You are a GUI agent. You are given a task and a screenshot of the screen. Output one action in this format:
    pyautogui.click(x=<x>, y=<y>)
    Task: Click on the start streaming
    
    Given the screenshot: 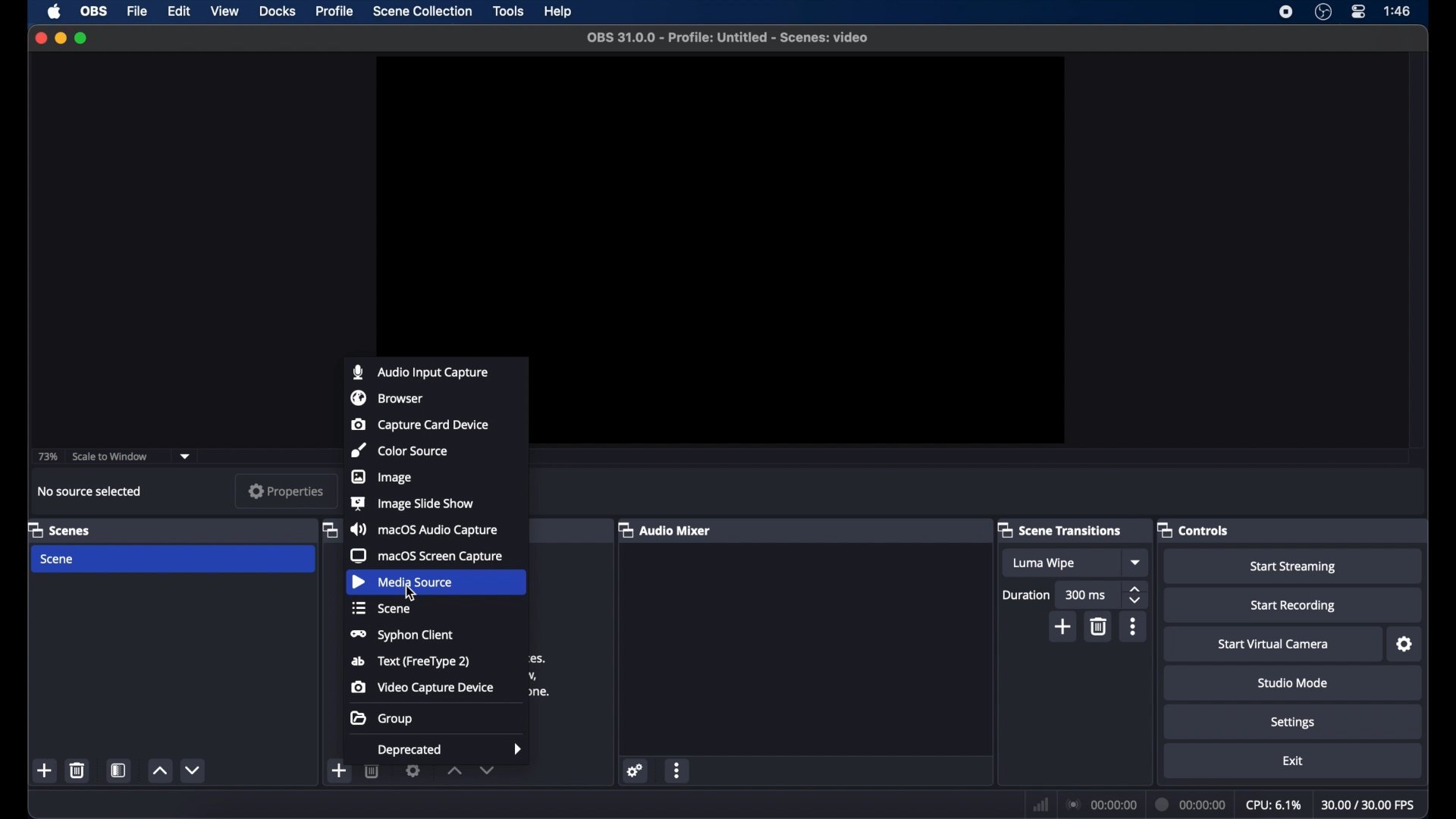 What is the action you would take?
    pyautogui.click(x=1293, y=567)
    